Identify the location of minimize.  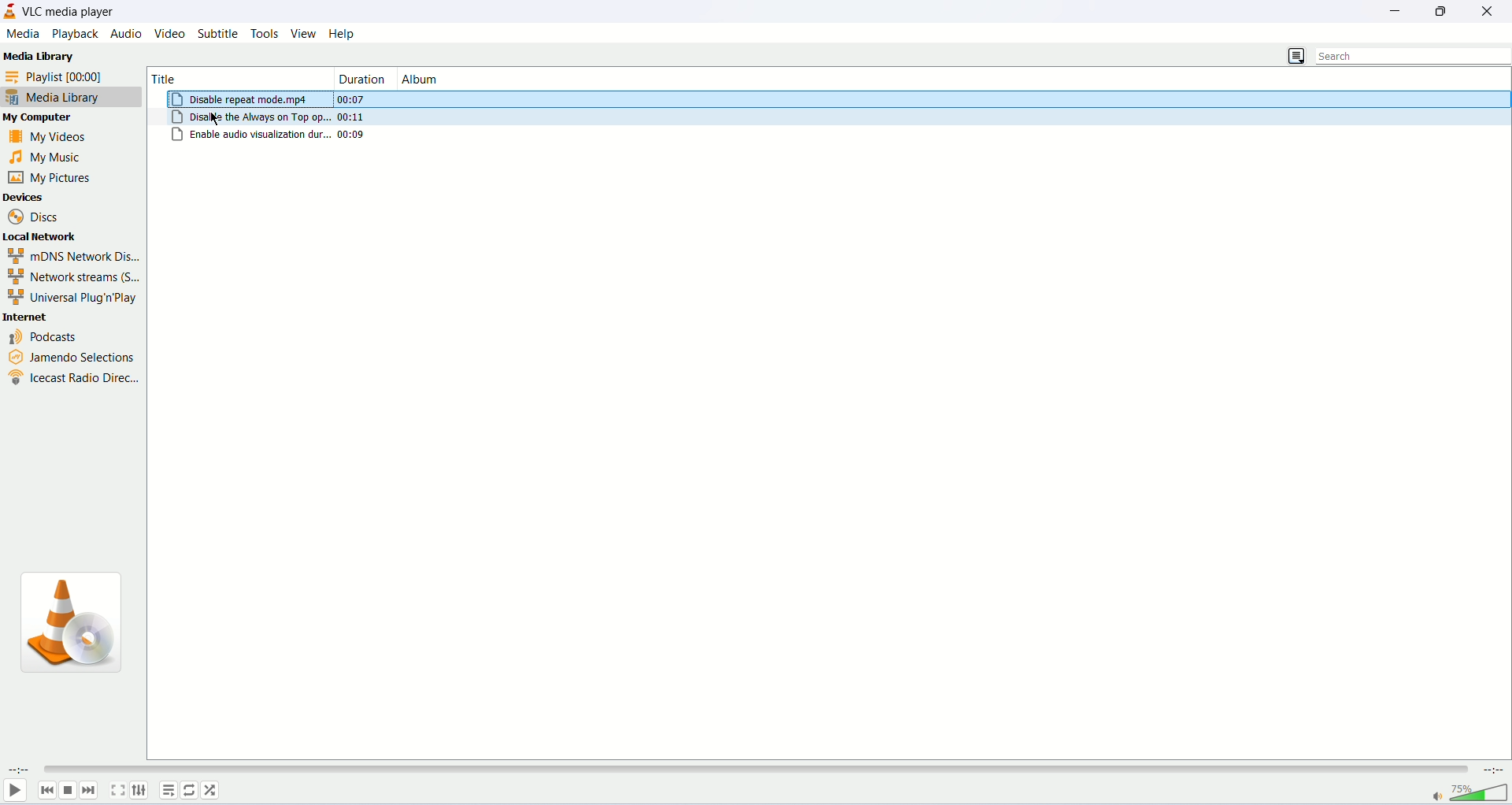
(1402, 9).